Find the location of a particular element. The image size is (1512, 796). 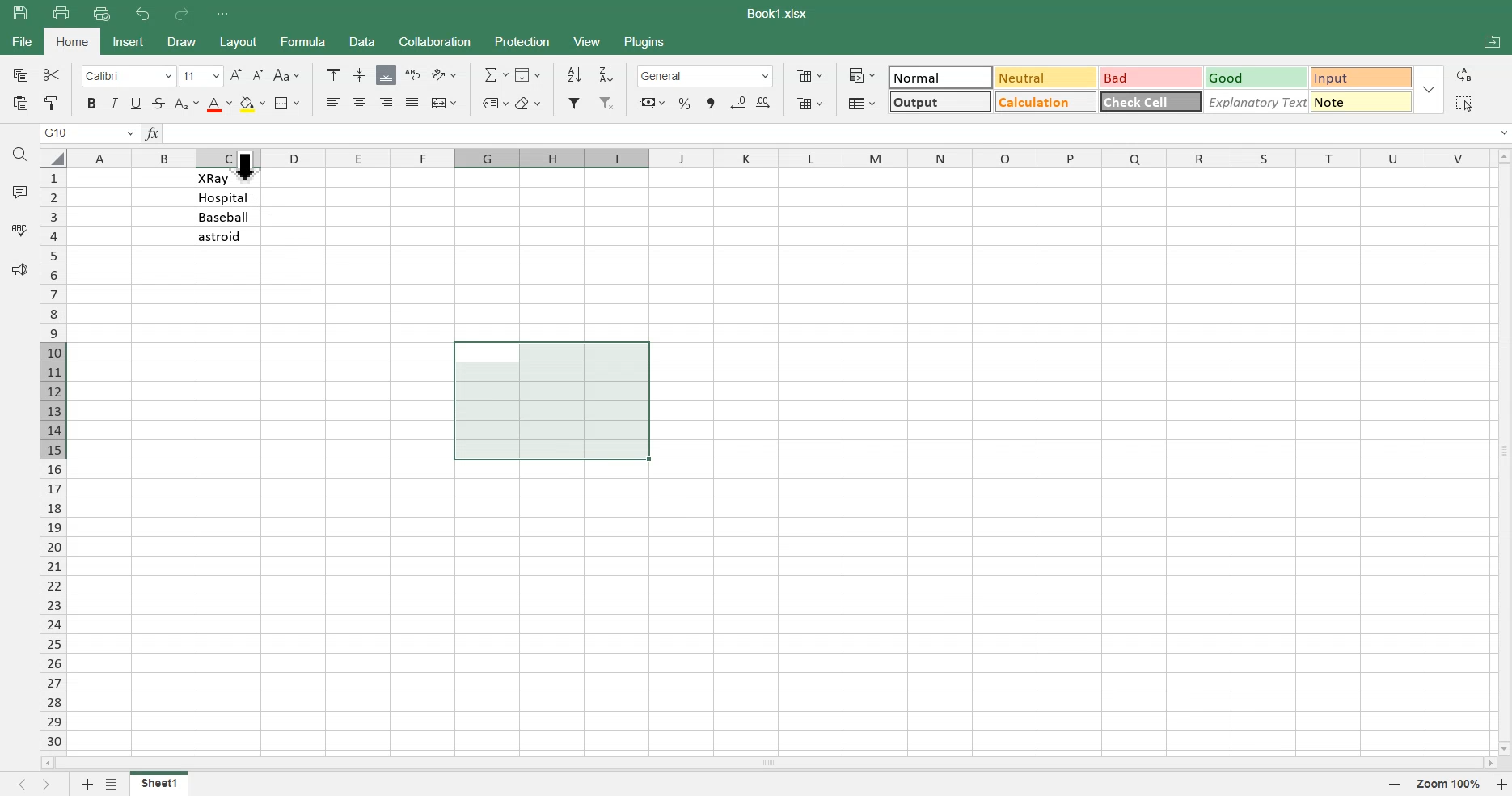

Italic is located at coordinates (115, 103).